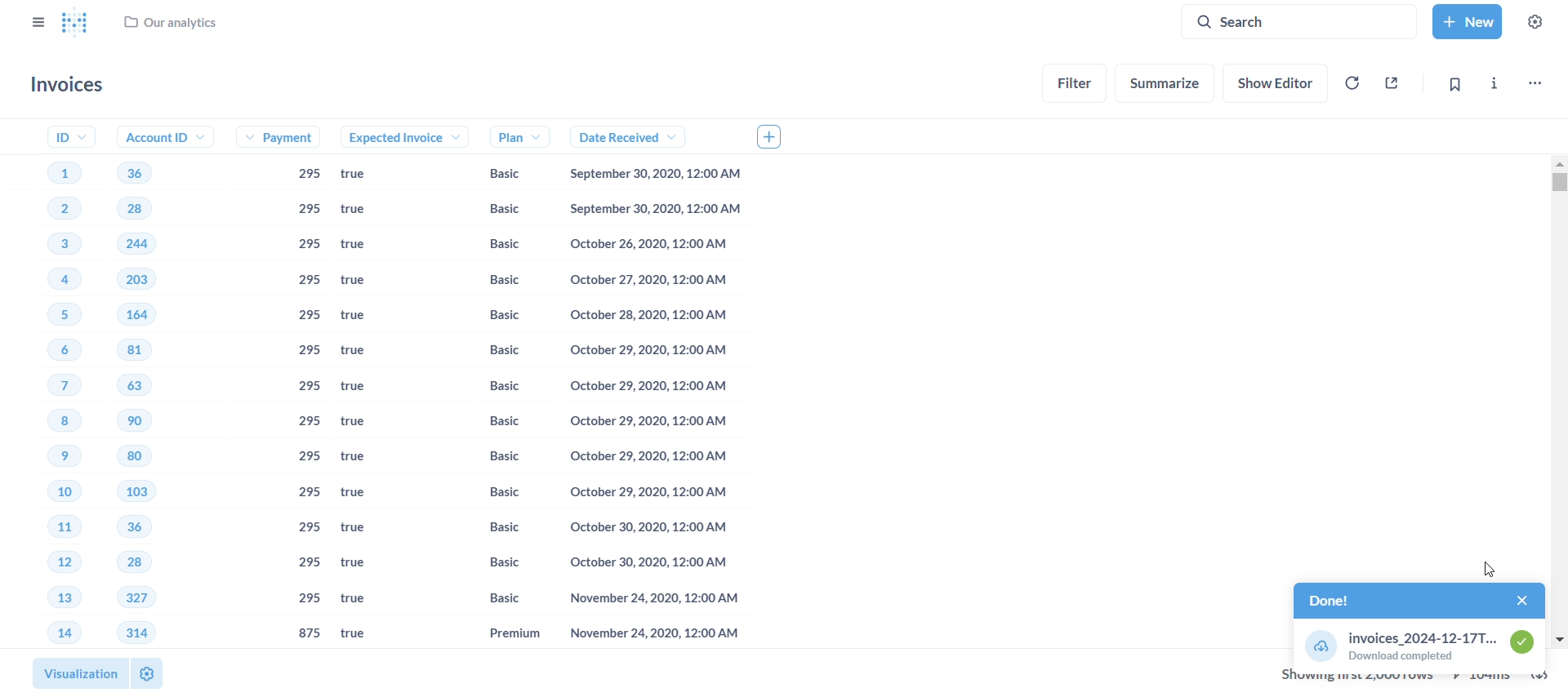 This screenshot has width=1568, height=697. I want to click on show editor, so click(1279, 81).